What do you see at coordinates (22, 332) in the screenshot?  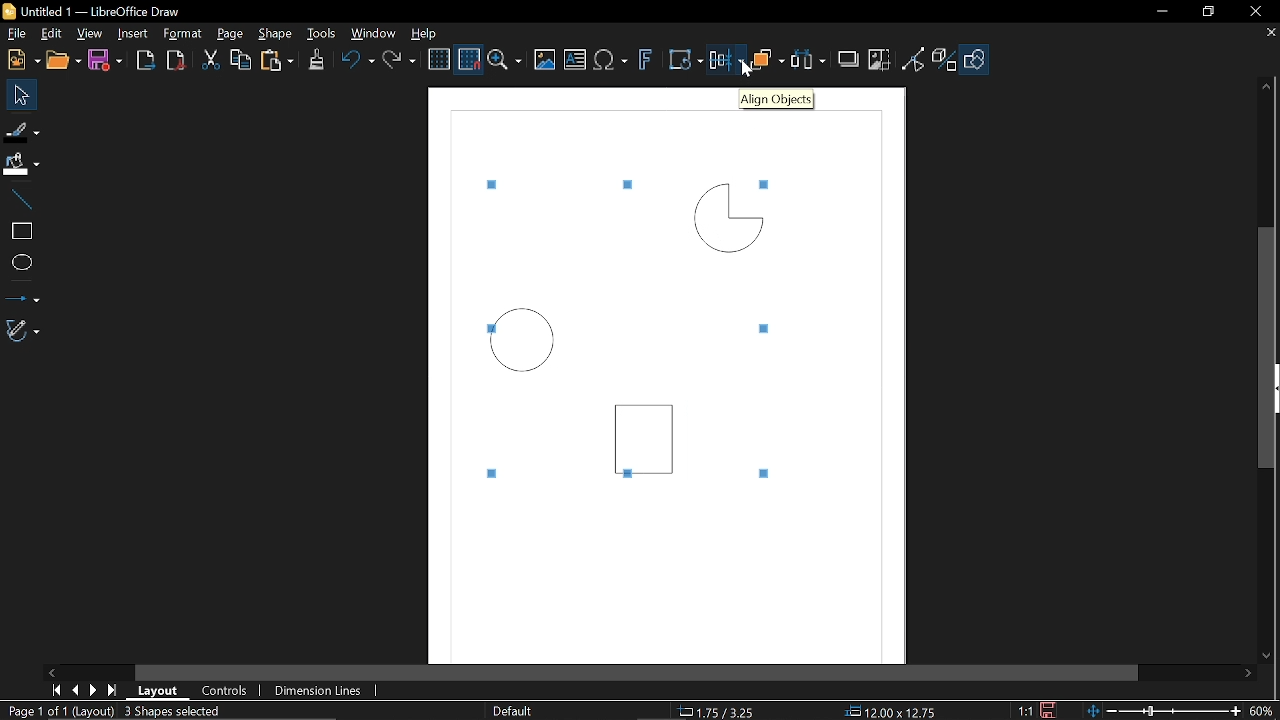 I see `Curves and polygon` at bounding box center [22, 332].